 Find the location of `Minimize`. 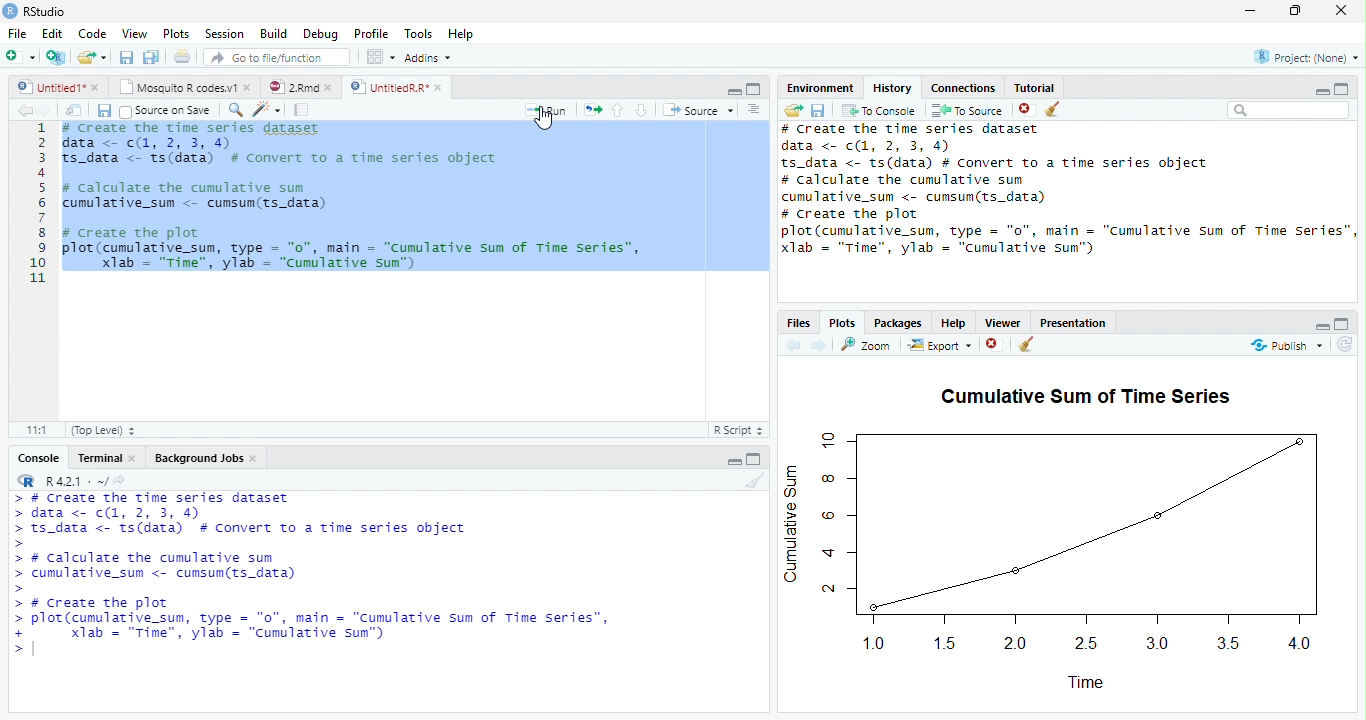

Minimize is located at coordinates (1320, 92).